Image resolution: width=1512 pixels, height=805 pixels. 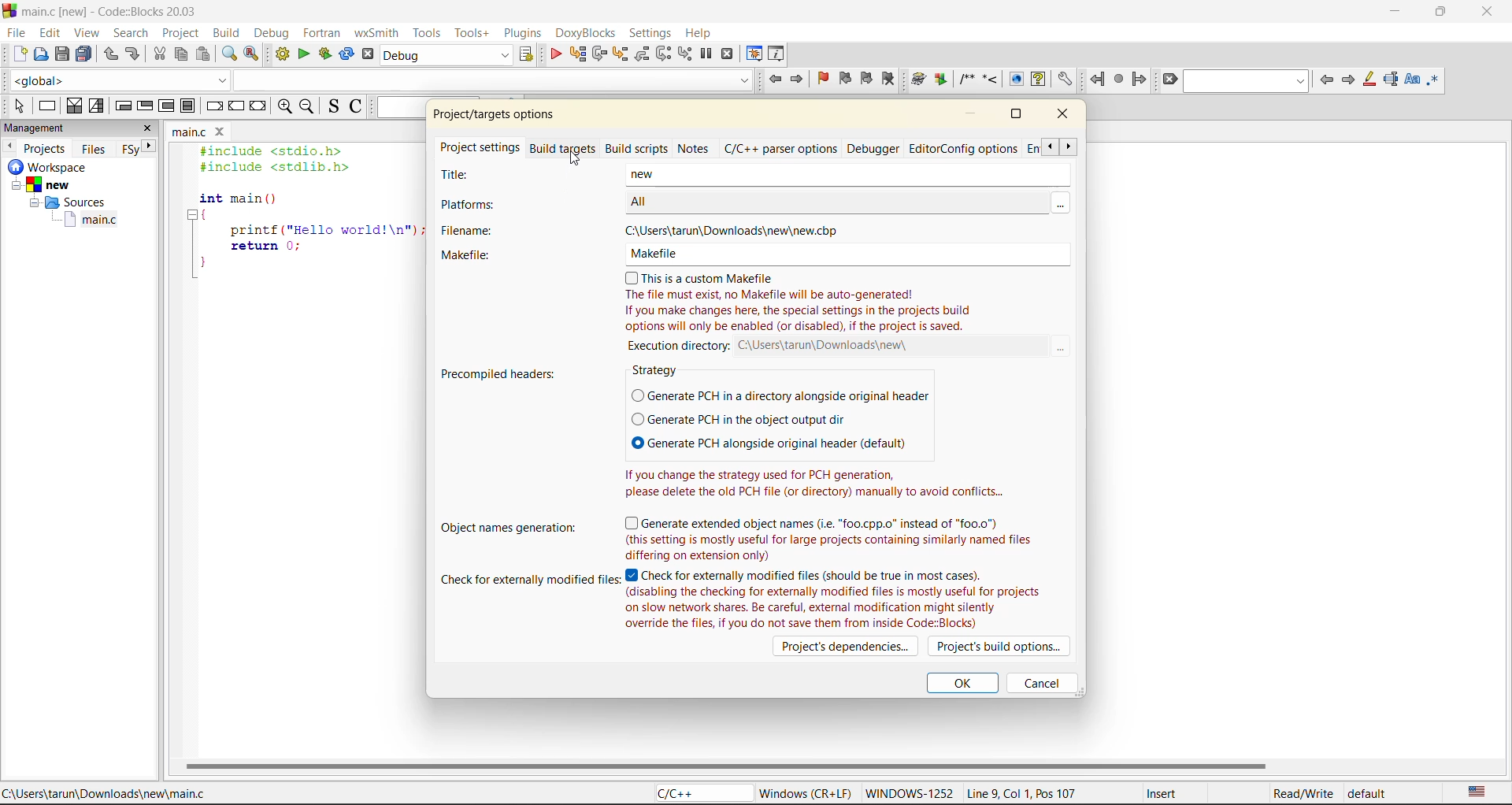 I want to click on Insert a comment block at the current line, so click(x=966, y=80).